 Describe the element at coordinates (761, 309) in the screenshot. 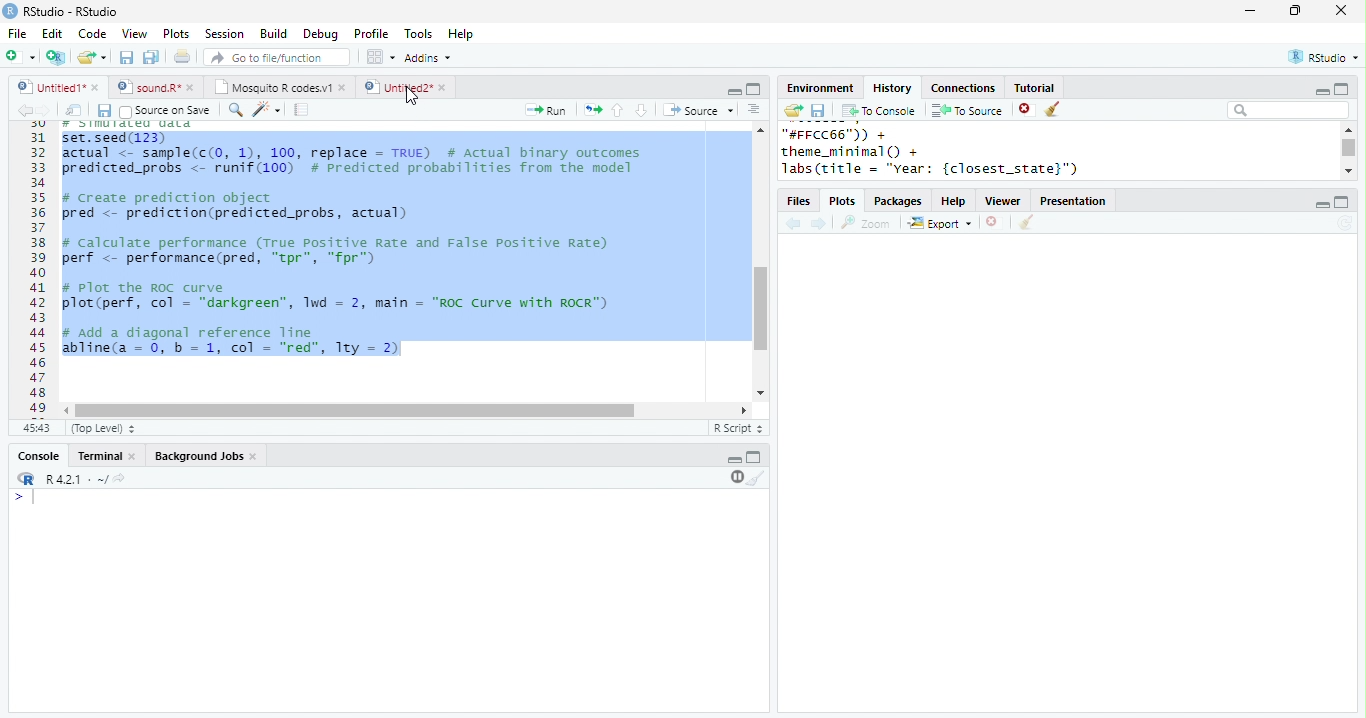

I see `scroll bar` at that location.